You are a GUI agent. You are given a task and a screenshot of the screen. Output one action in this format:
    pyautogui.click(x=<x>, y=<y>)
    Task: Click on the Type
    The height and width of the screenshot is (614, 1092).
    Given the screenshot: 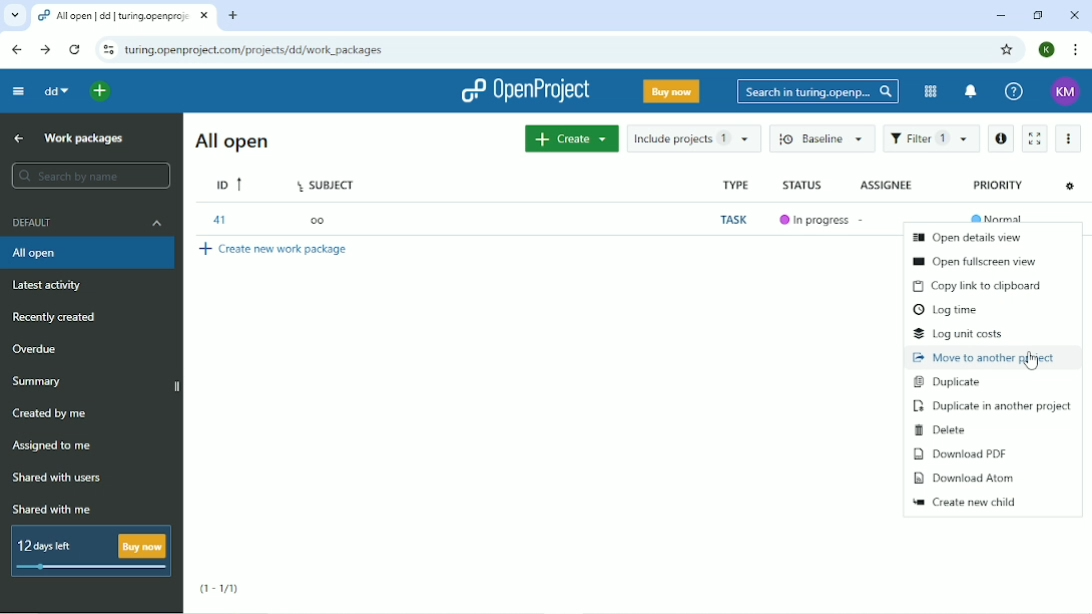 What is the action you would take?
    pyautogui.click(x=733, y=184)
    